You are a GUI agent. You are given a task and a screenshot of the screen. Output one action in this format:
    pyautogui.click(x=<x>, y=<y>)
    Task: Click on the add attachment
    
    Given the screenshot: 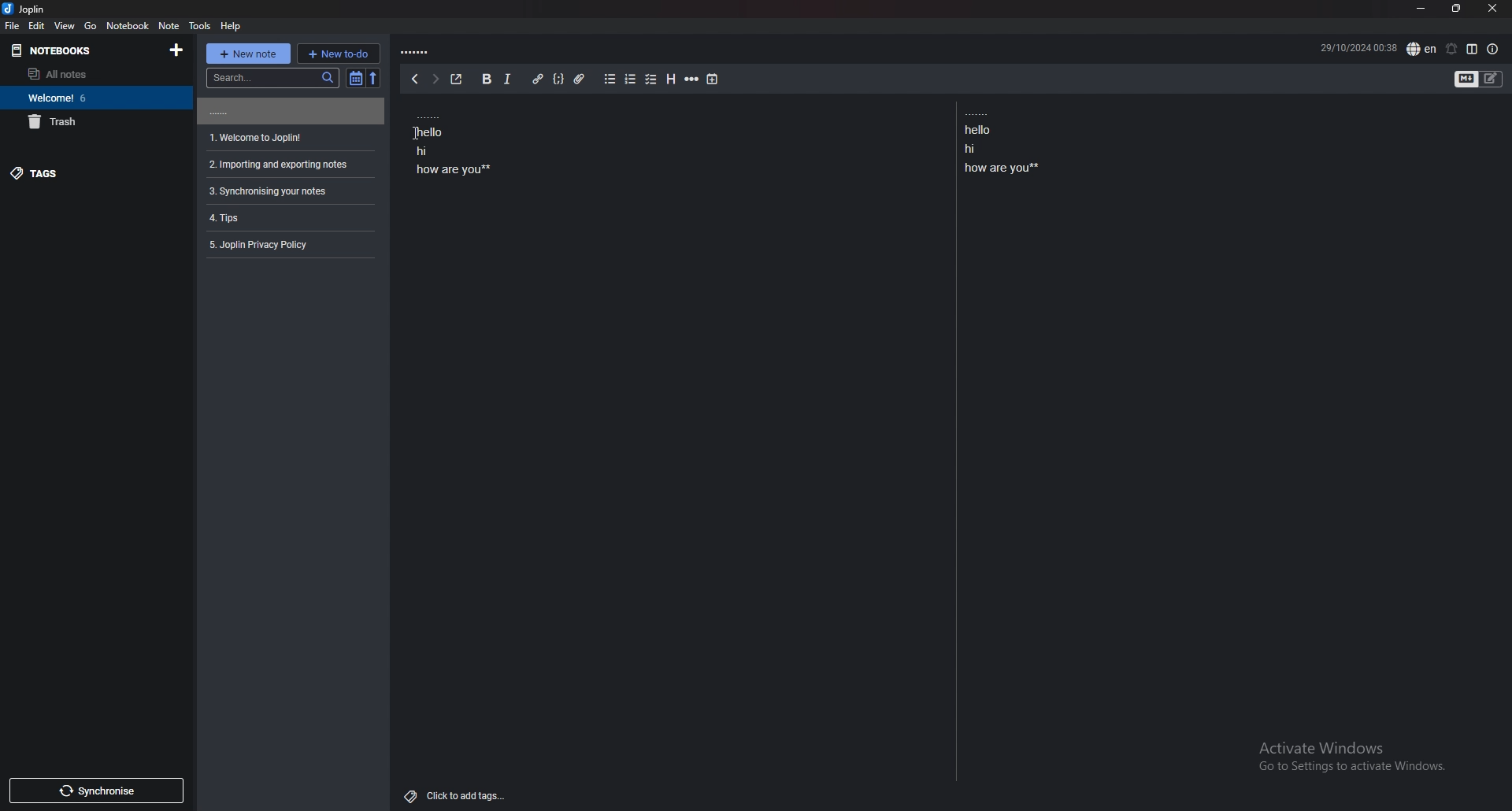 What is the action you would take?
    pyautogui.click(x=579, y=80)
    